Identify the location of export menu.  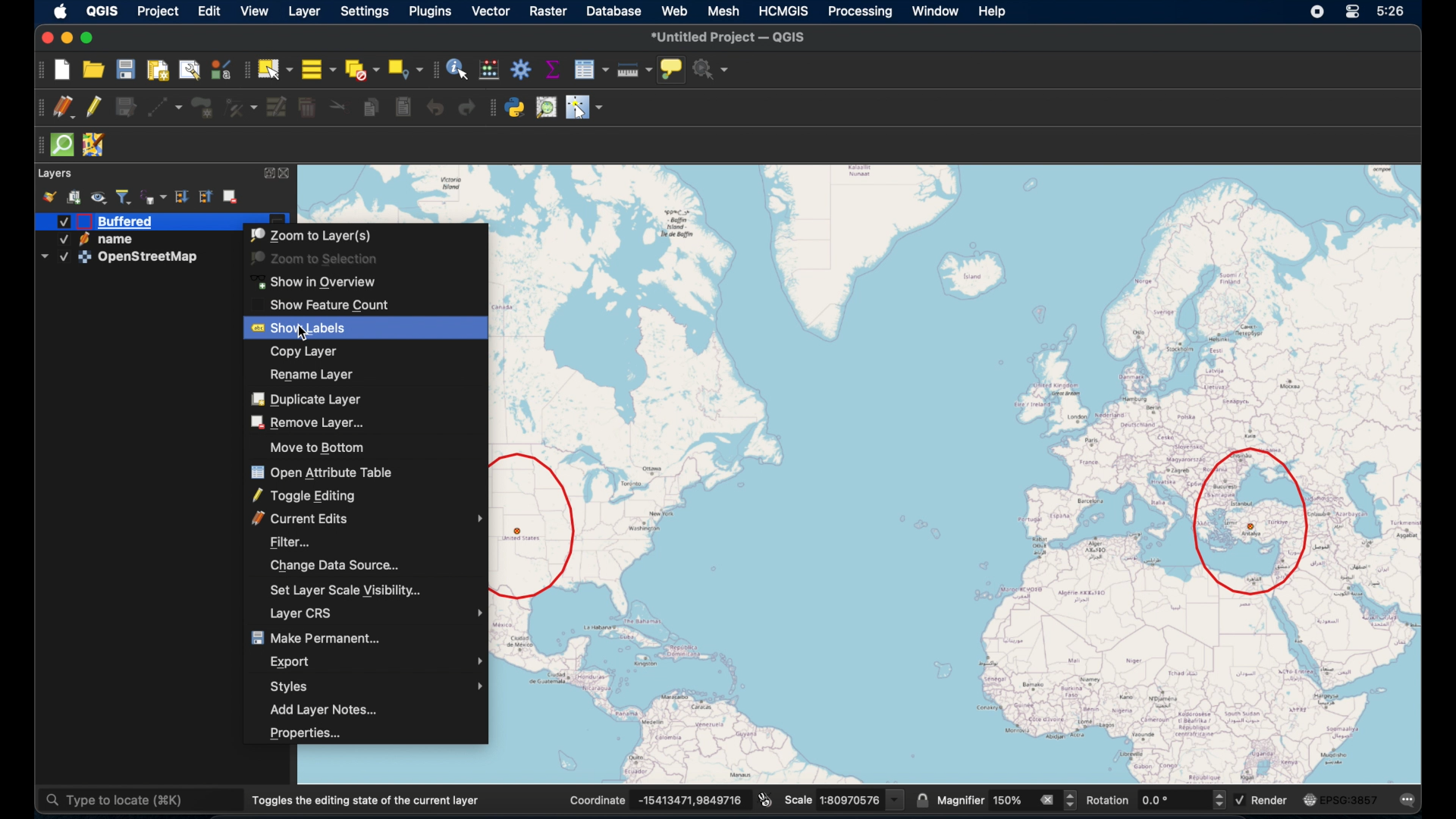
(379, 661).